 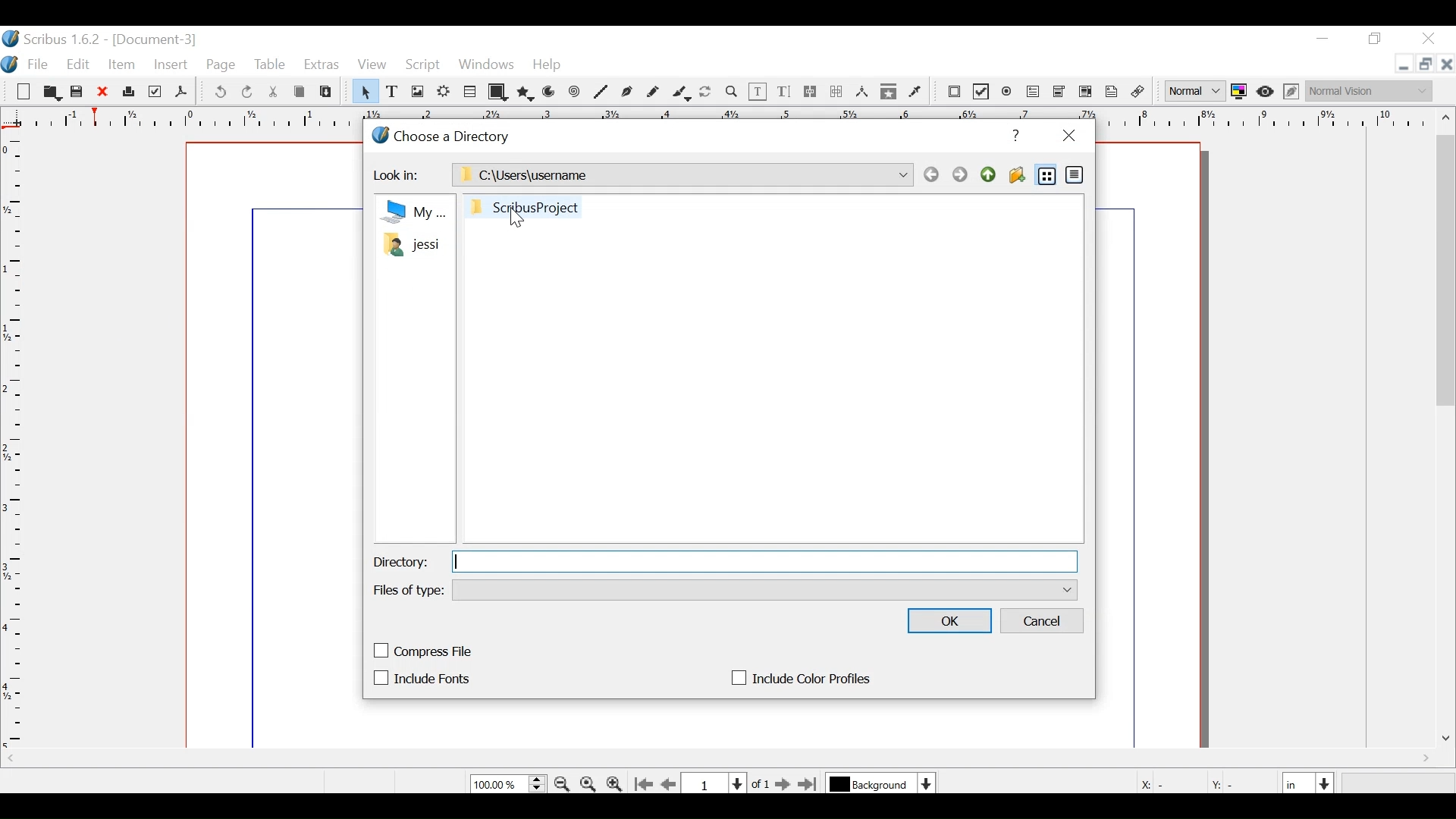 What do you see at coordinates (524, 93) in the screenshot?
I see `Polygon` at bounding box center [524, 93].